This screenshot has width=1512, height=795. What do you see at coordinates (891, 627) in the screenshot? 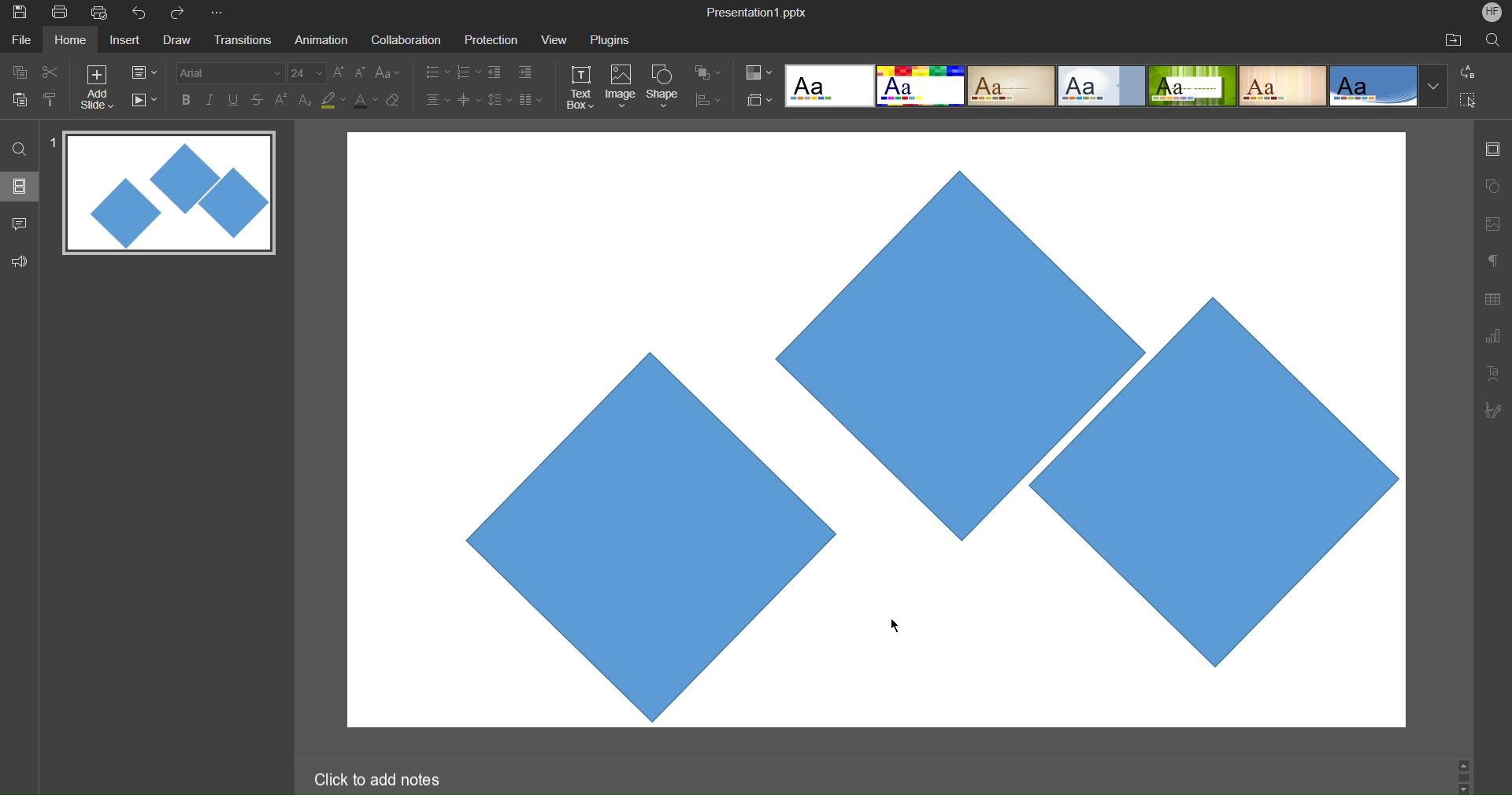
I see `Cursor` at bounding box center [891, 627].